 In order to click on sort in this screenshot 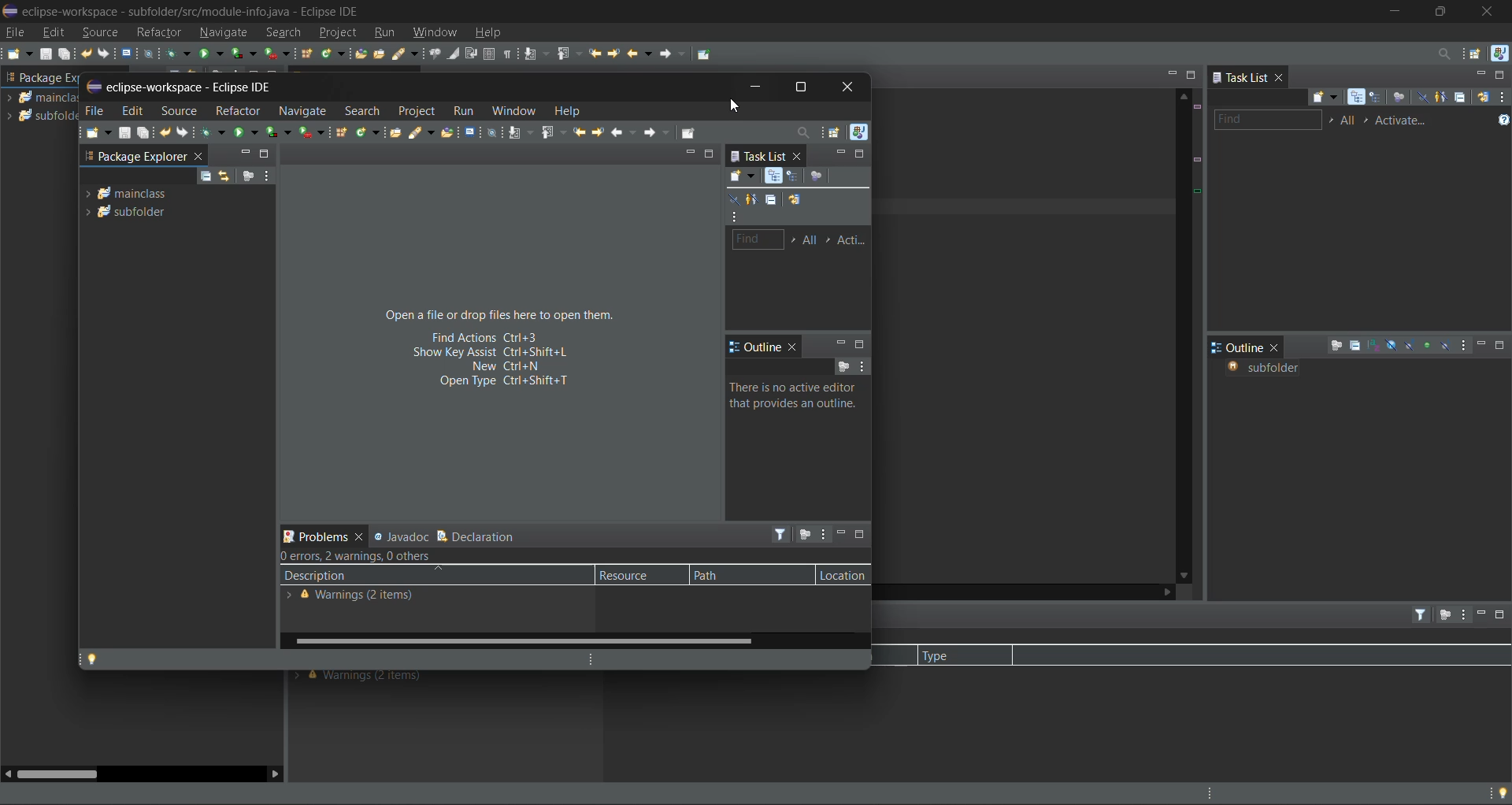, I will do `click(1376, 345)`.